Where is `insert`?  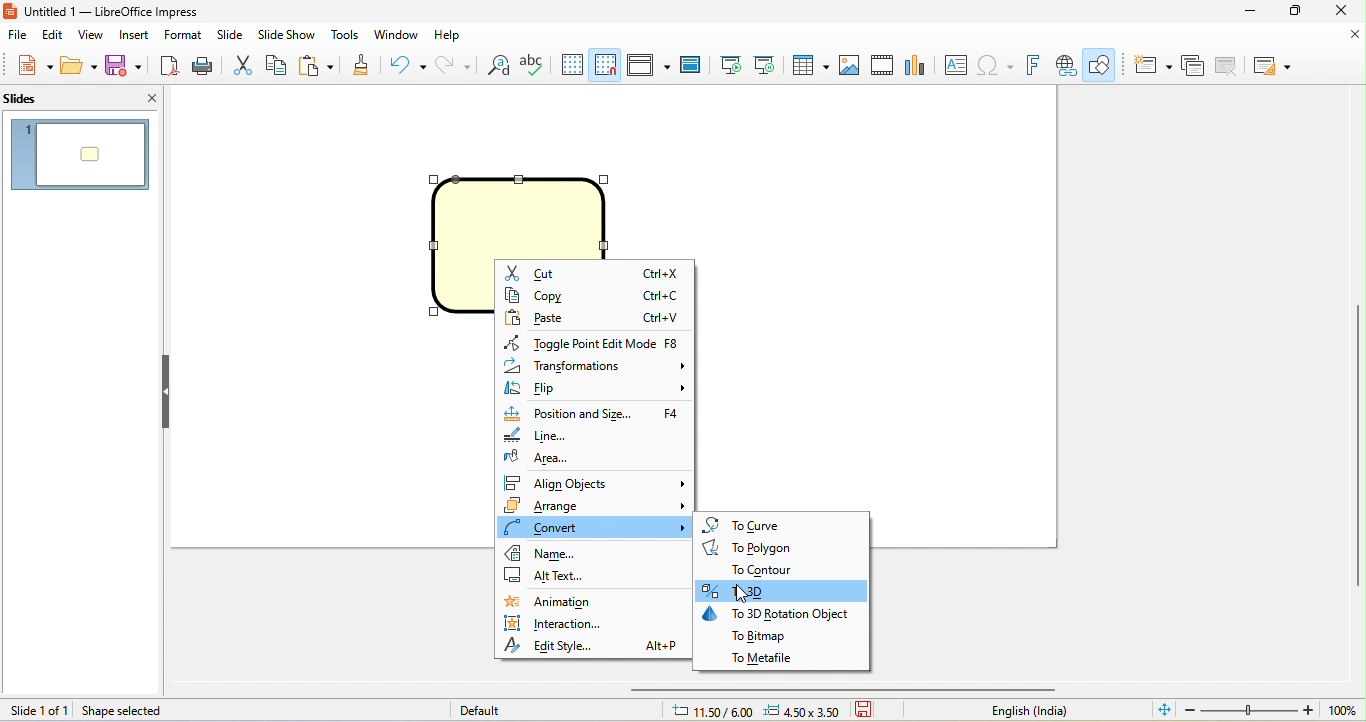
insert is located at coordinates (137, 35).